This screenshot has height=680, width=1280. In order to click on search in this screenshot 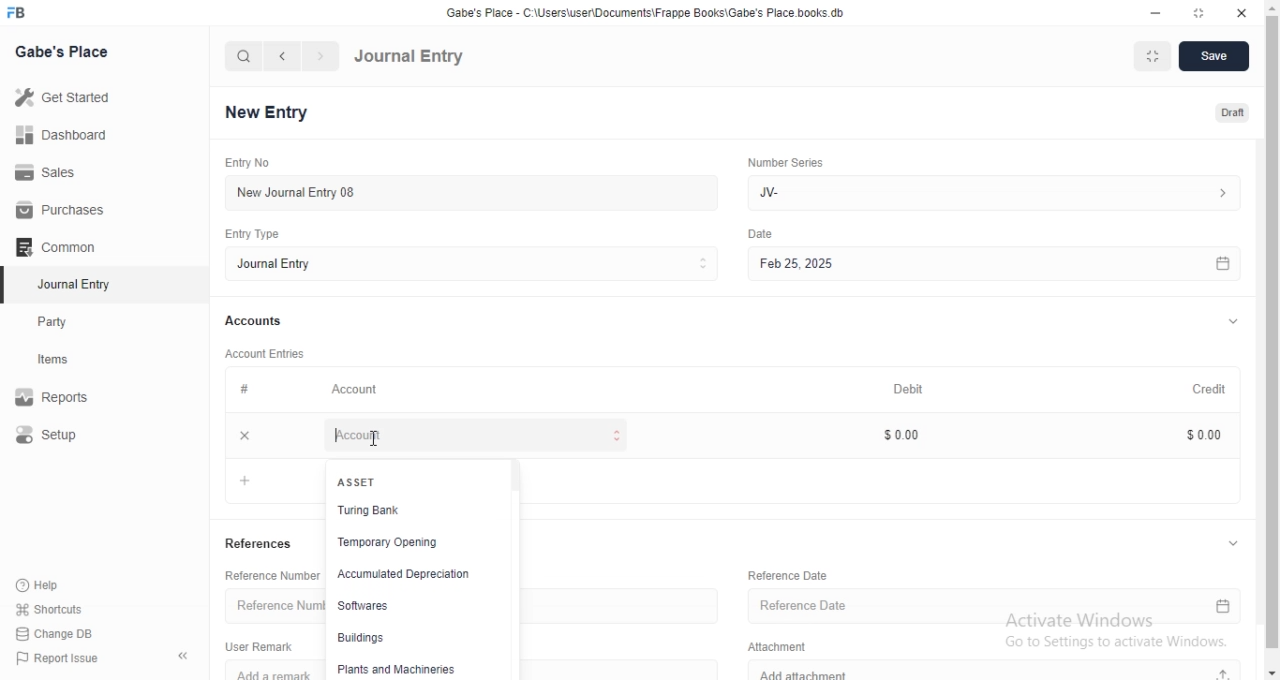, I will do `click(244, 57)`.